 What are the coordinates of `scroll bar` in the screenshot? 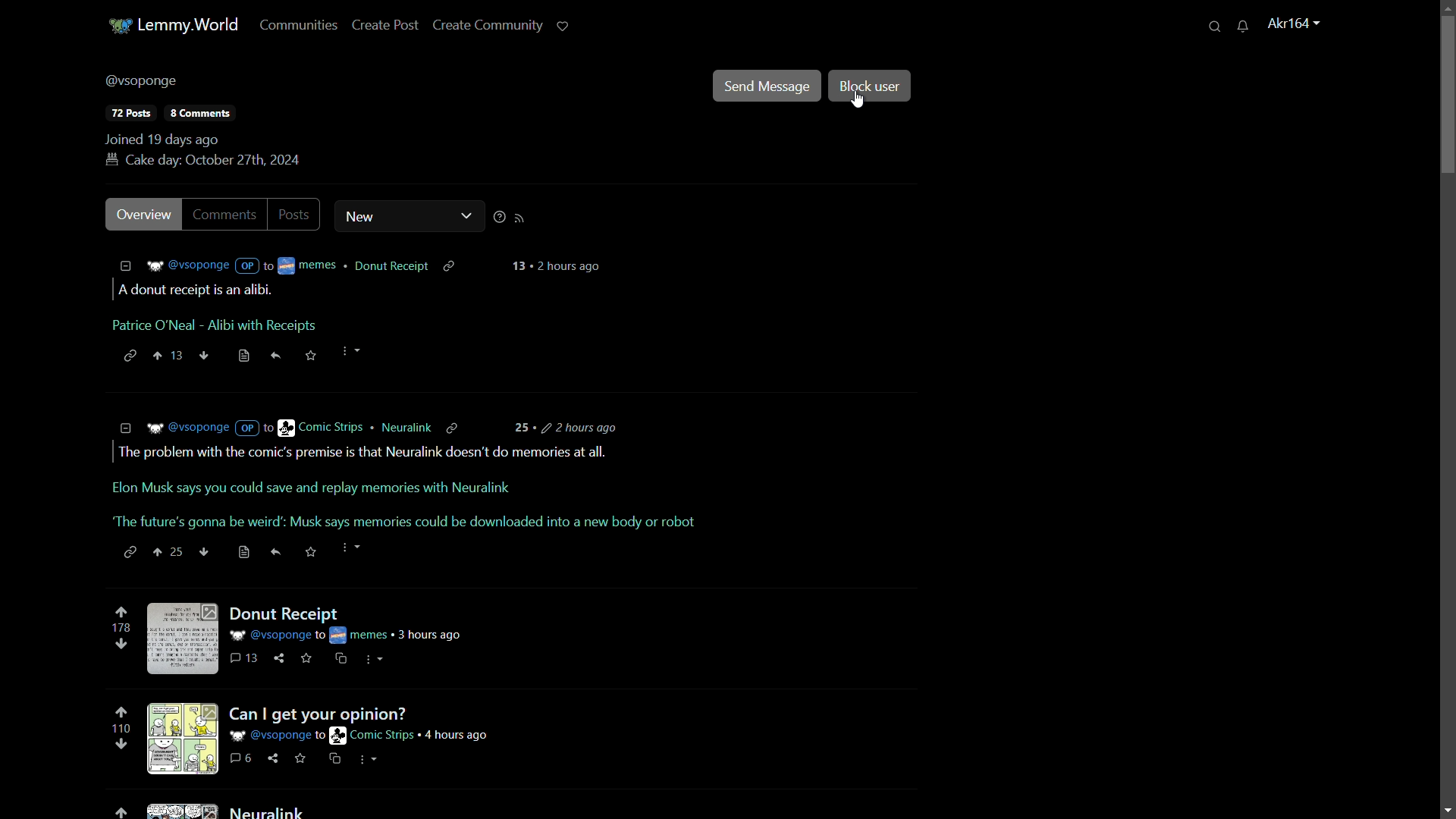 It's located at (1448, 93).